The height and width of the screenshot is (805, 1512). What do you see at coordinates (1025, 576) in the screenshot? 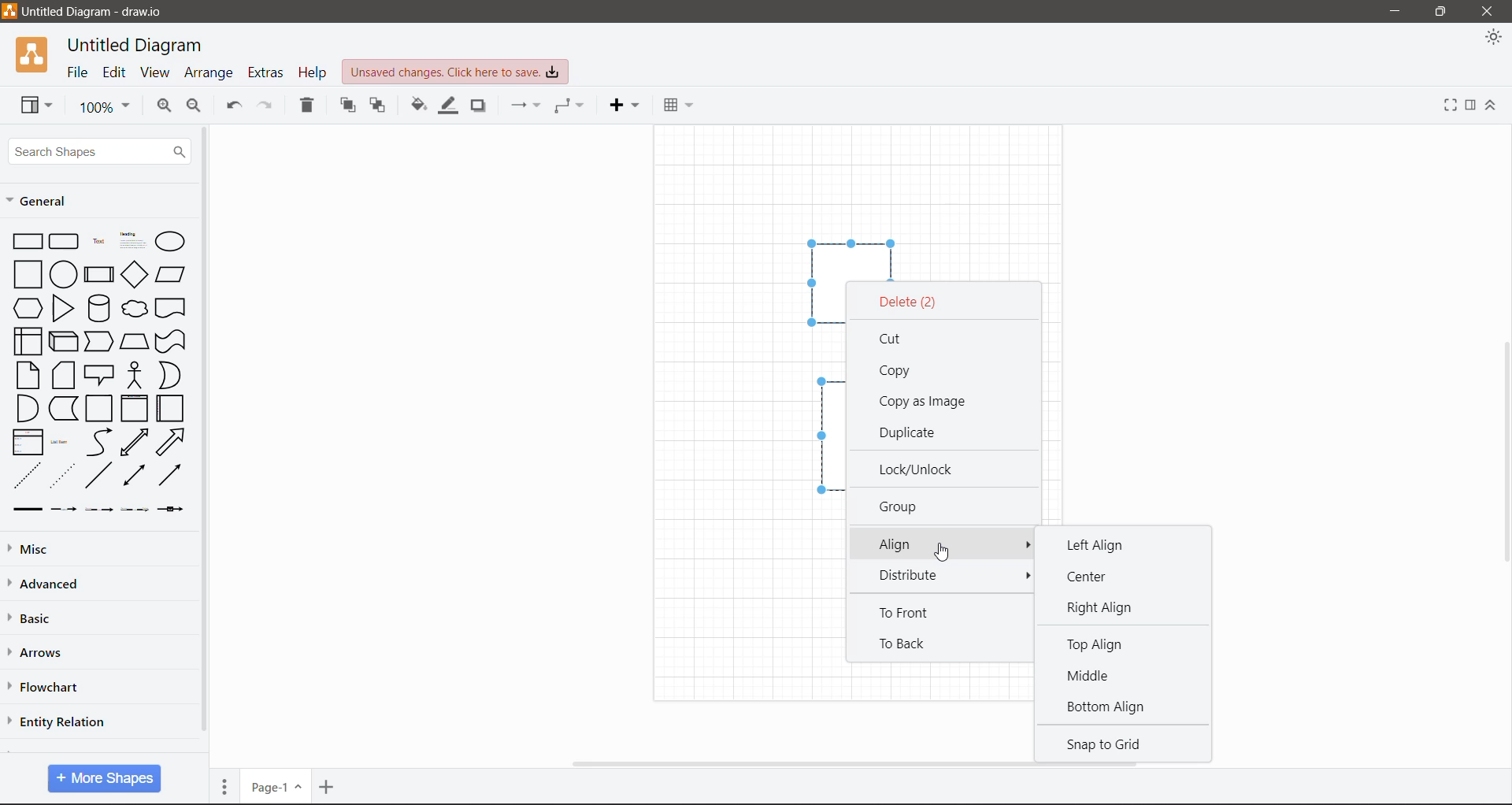
I see `More options` at bounding box center [1025, 576].